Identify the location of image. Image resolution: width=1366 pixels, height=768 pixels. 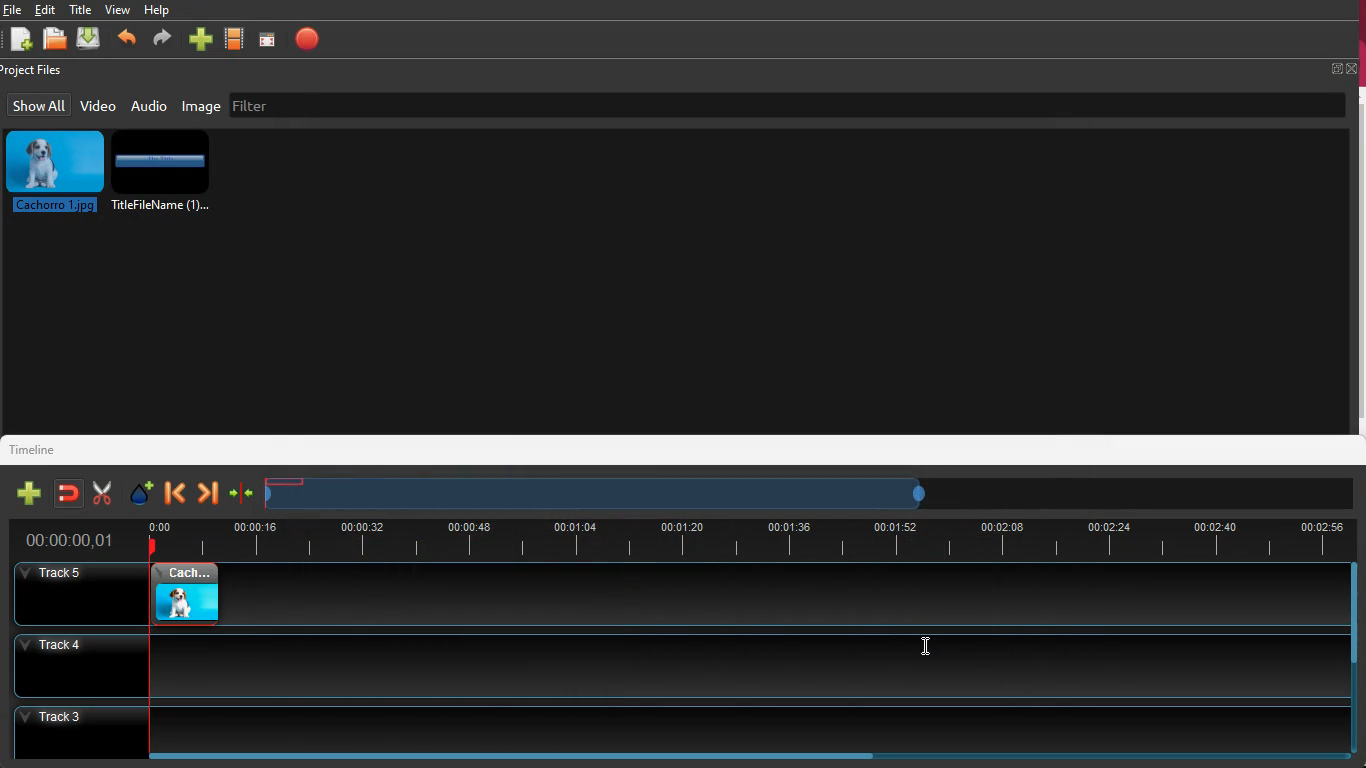
(55, 172).